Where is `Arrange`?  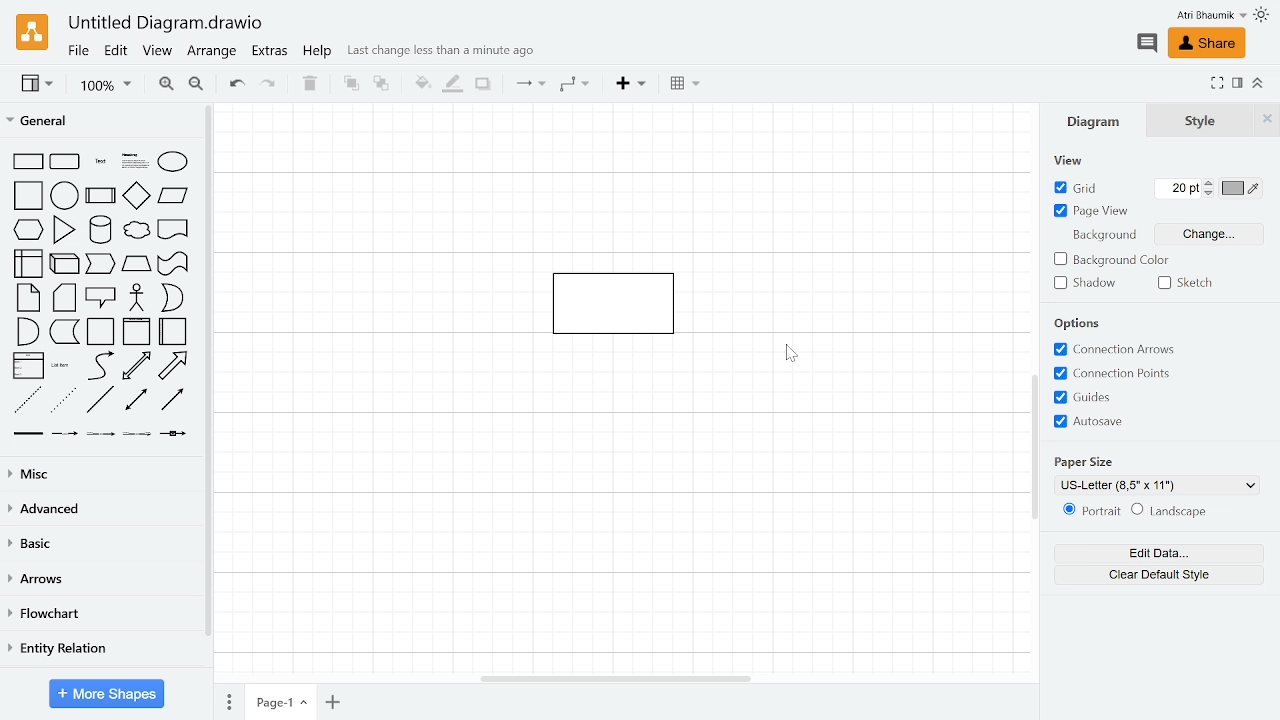
Arrange is located at coordinates (214, 52).